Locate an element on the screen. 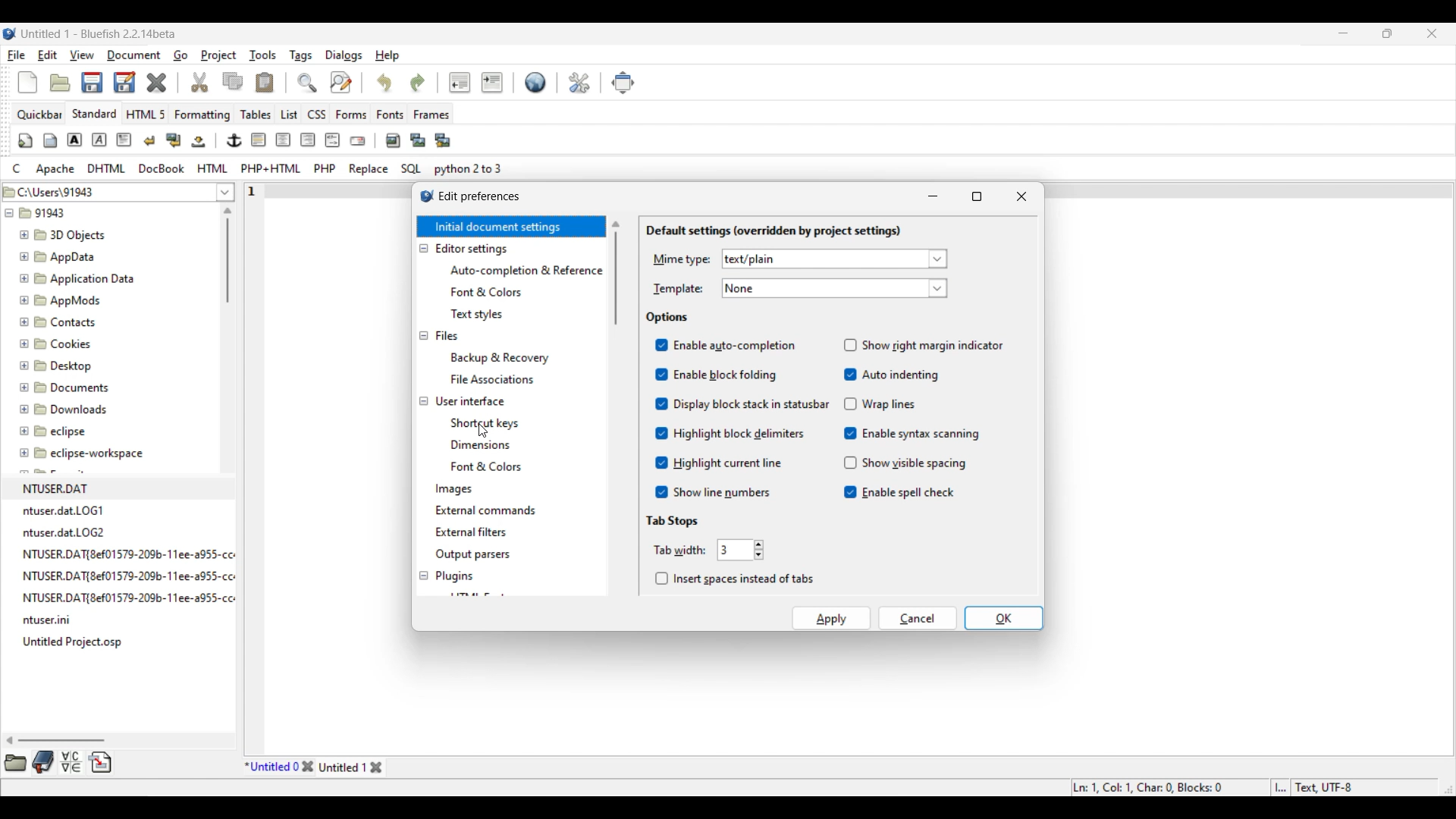  View menu is located at coordinates (82, 55).